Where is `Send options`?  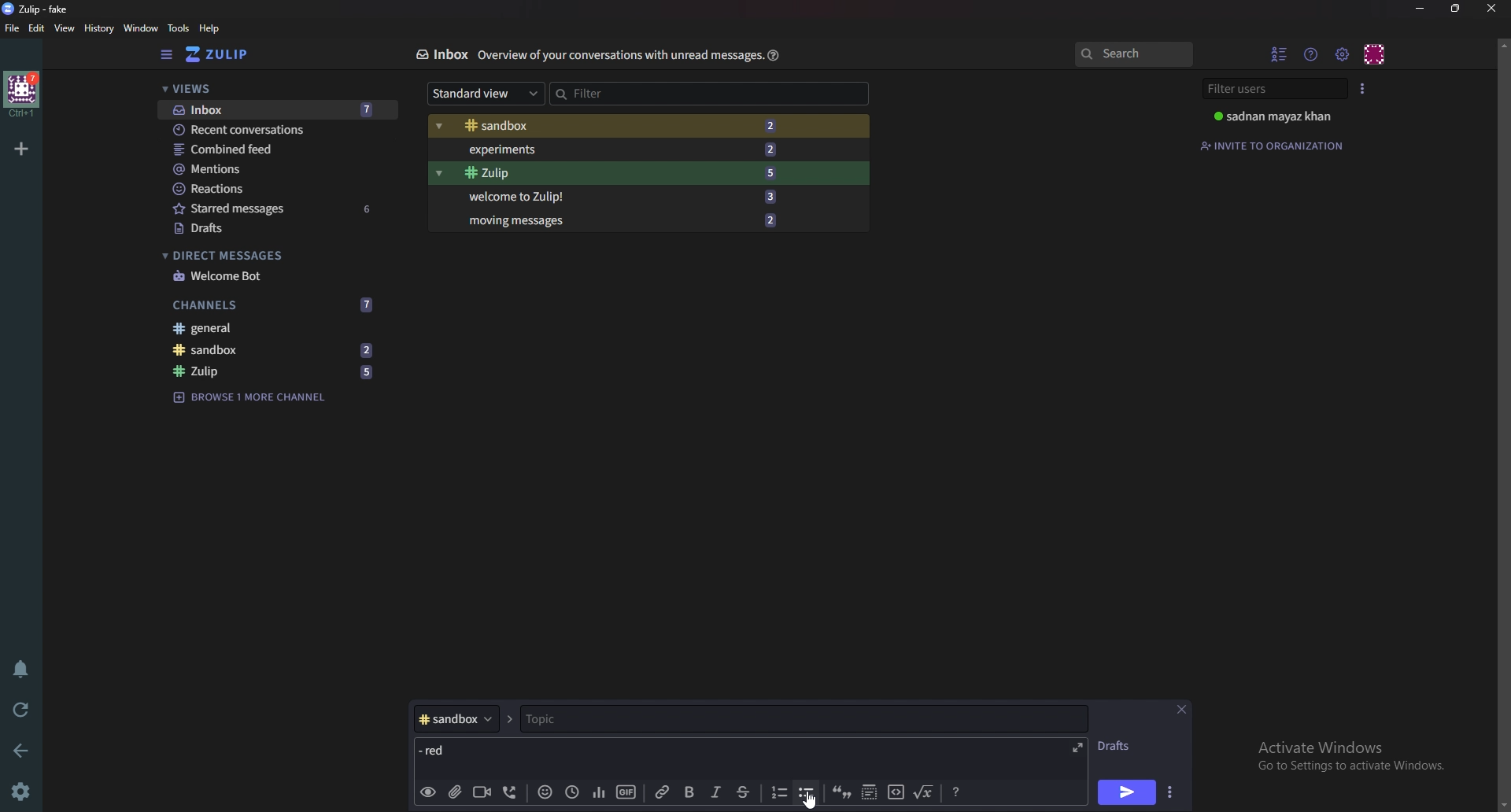 Send options is located at coordinates (1172, 792).